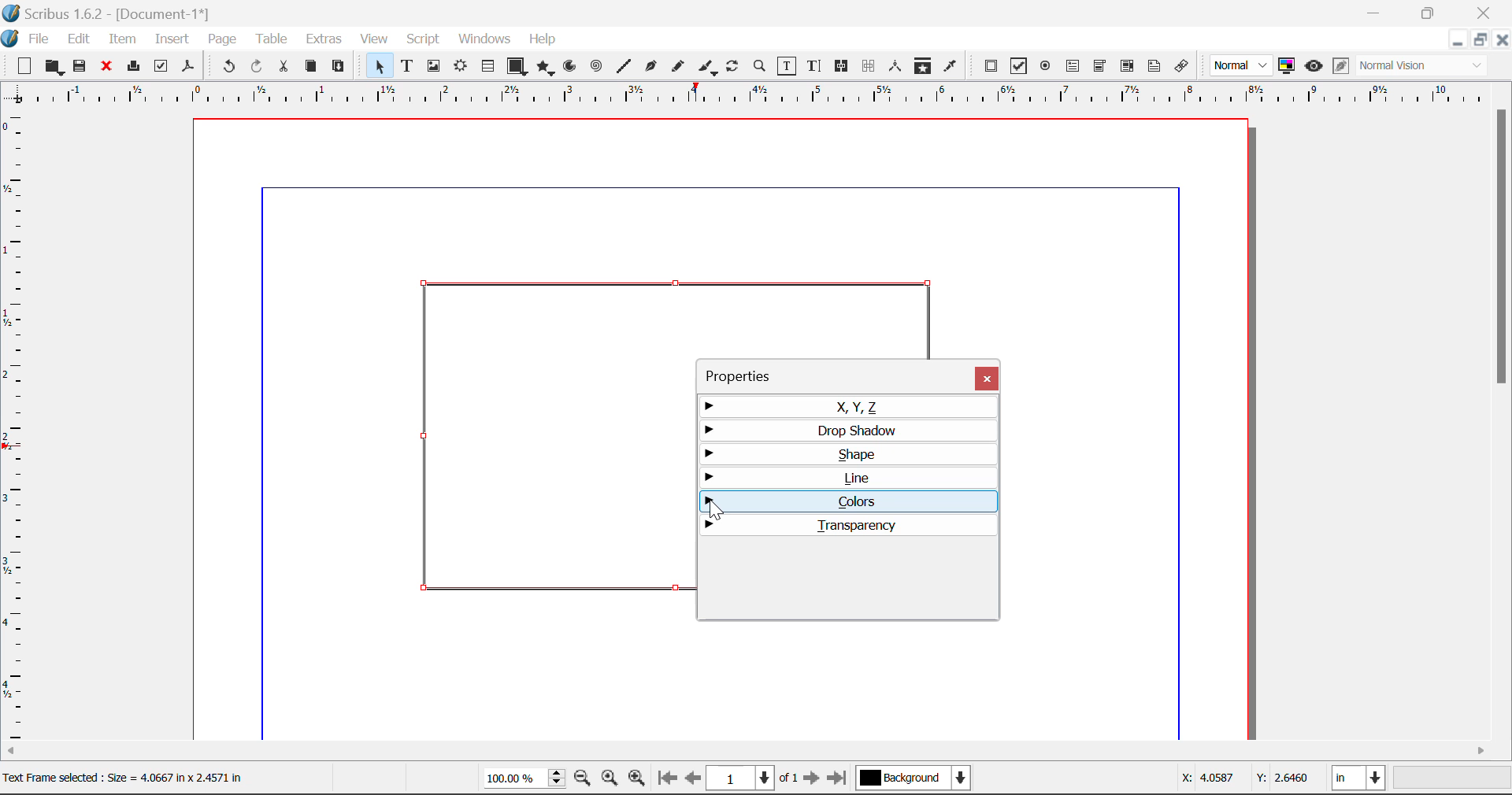  I want to click on Delink Frames, so click(870, 66).